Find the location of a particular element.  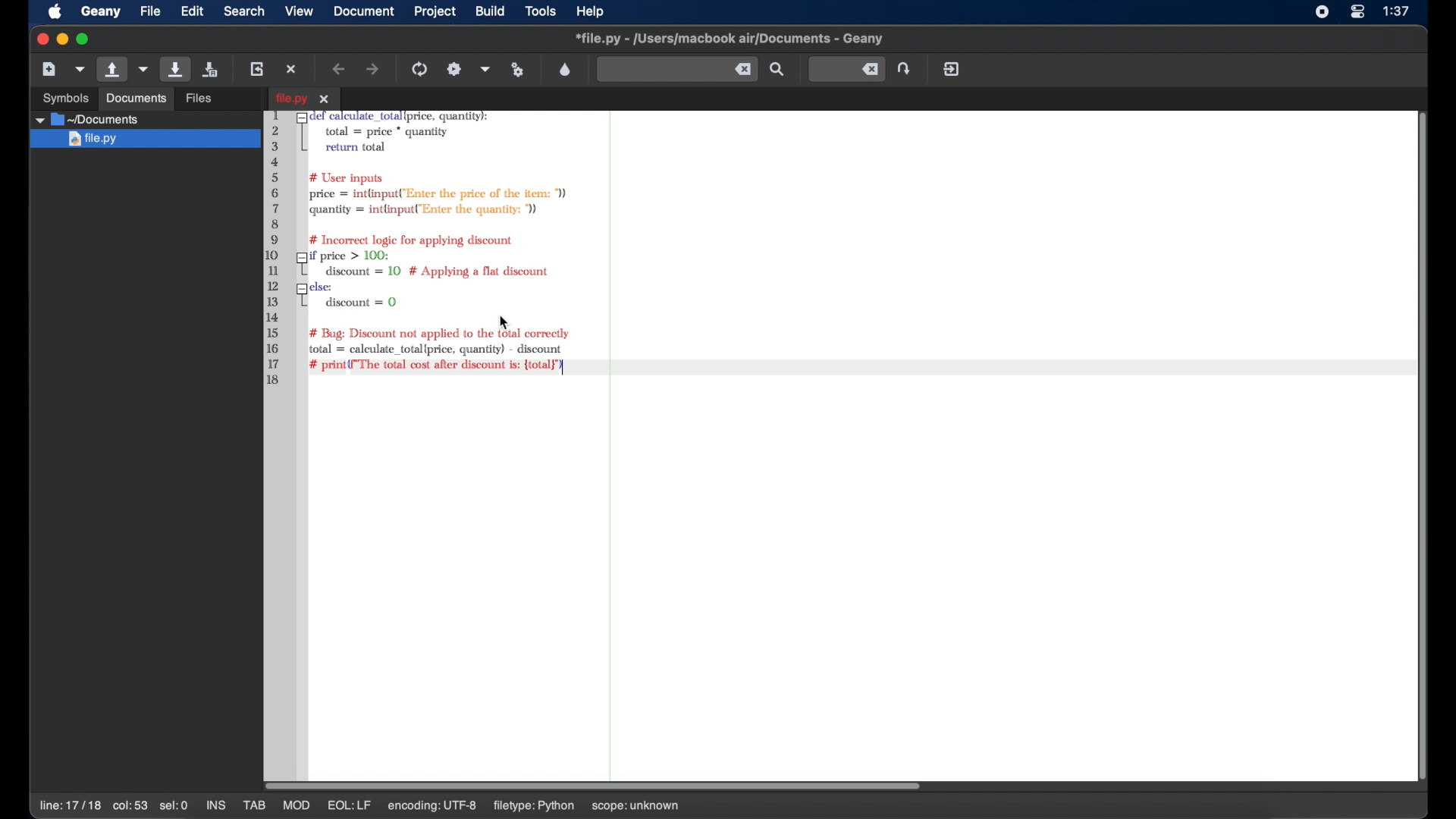

ins is located at coordinates (215, 805).